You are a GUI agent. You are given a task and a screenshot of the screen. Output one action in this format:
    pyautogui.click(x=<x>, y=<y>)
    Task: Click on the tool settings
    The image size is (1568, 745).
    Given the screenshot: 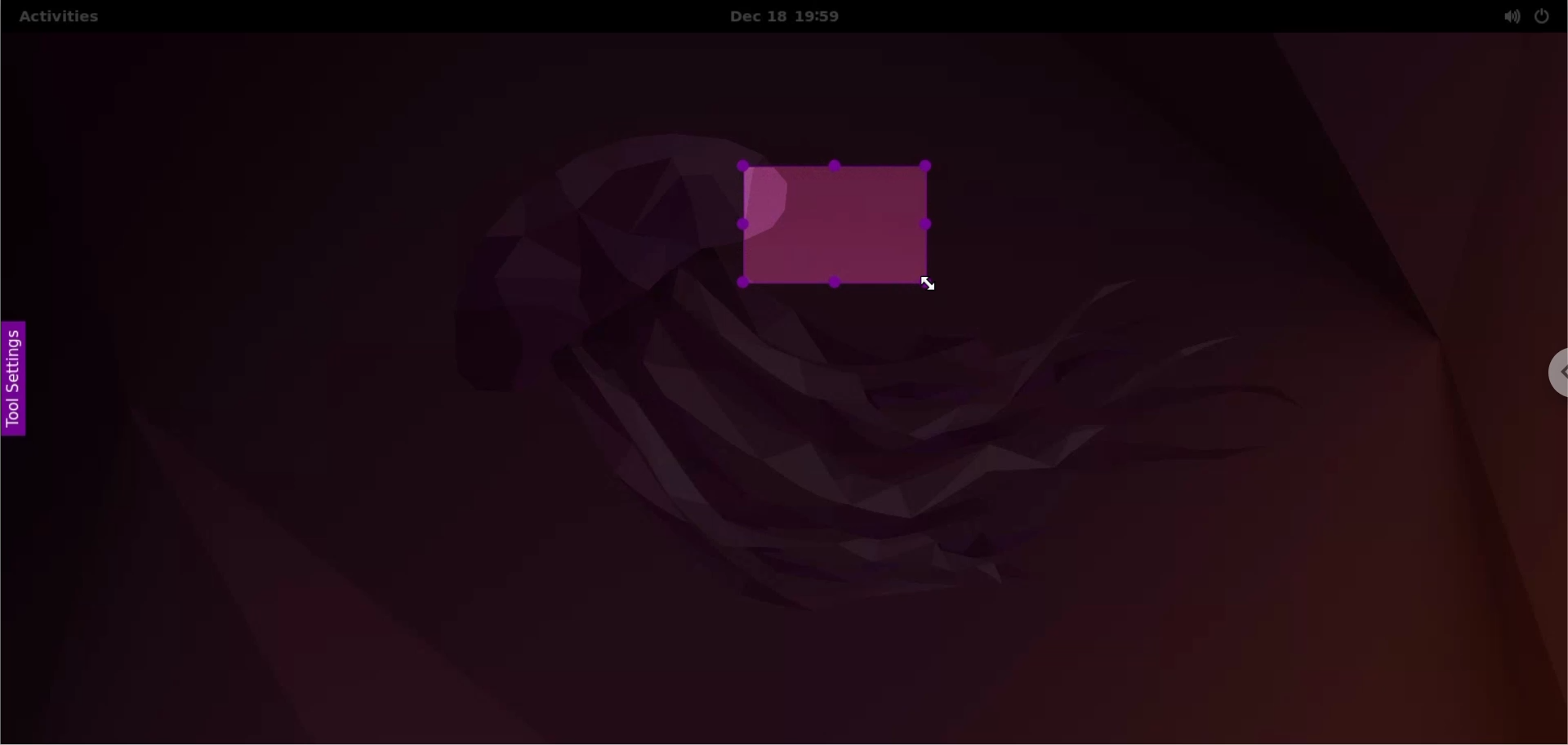 What is the action you would take?
    pyautogui.click(x=14, y=383)
    